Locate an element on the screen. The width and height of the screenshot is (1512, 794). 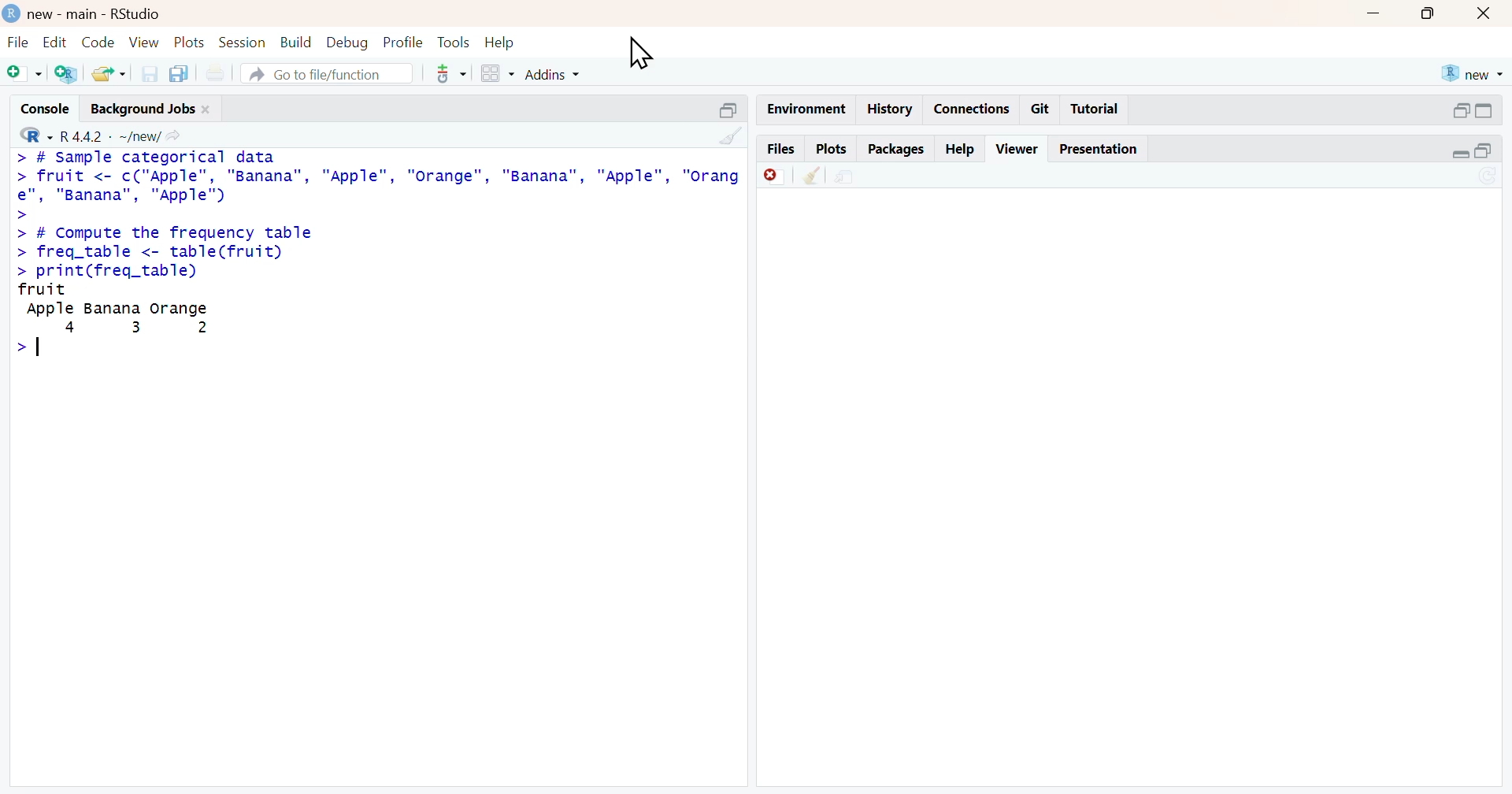
expand is located at coordinates (1459, 112).